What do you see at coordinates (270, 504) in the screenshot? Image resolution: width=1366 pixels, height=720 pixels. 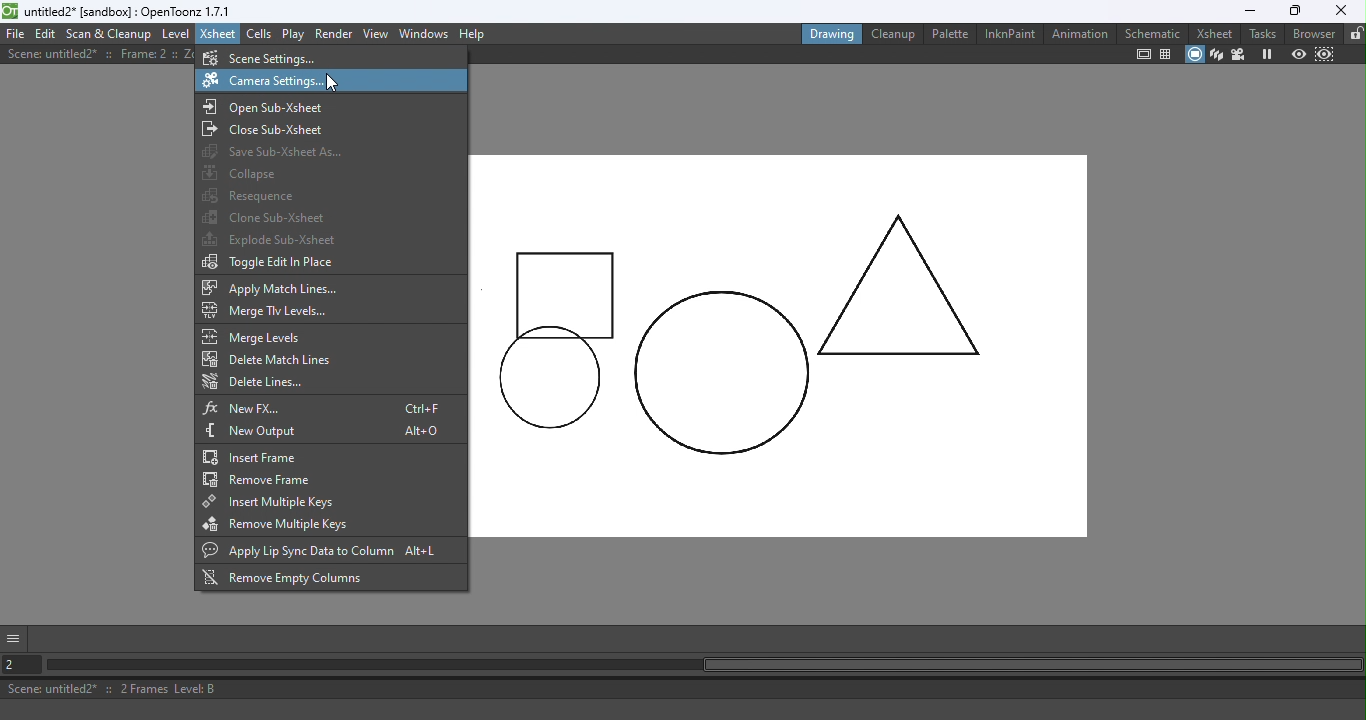 I see `Insert multiple keys` at bounding box center [270, 504].